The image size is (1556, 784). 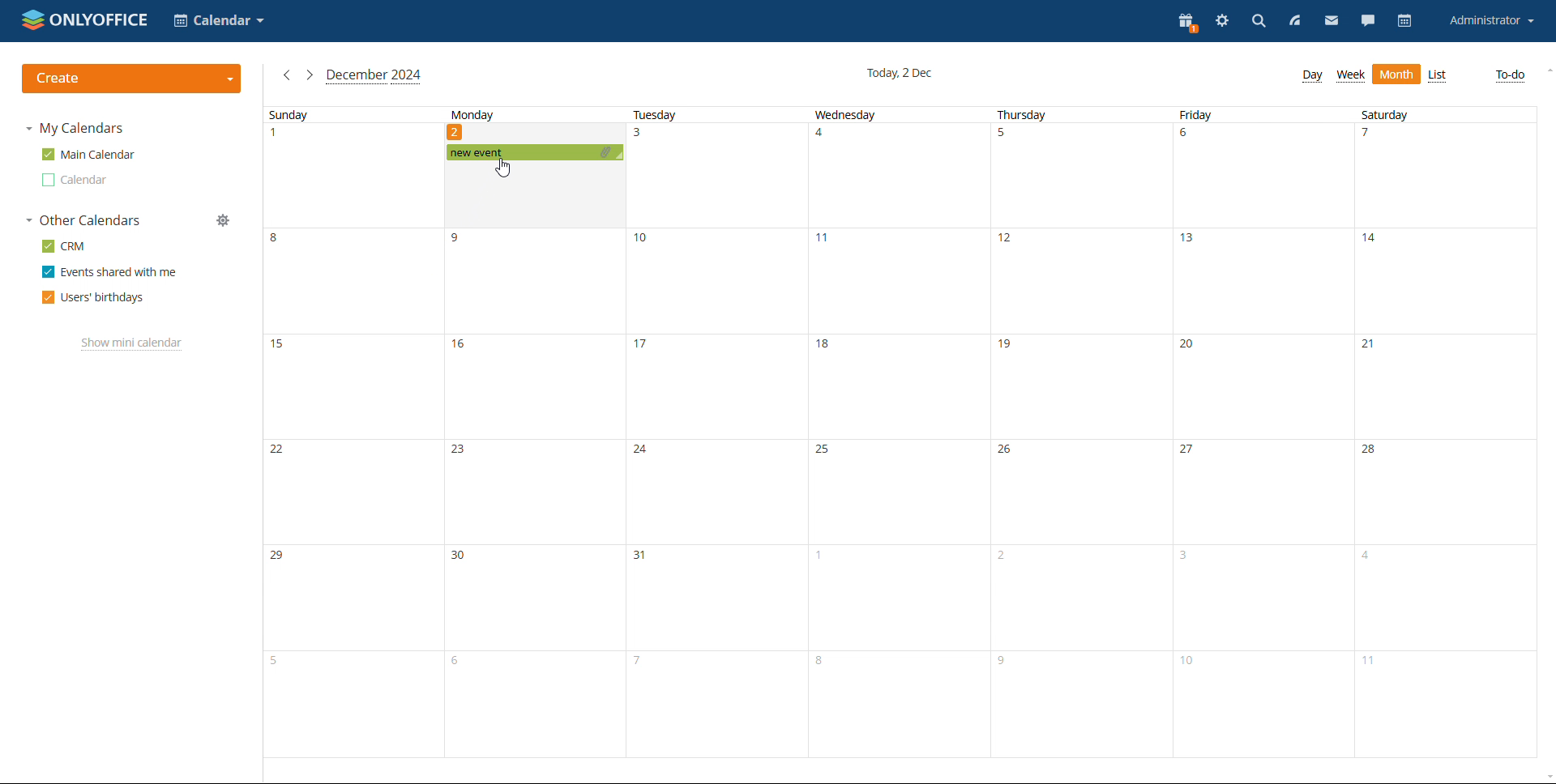 I want to click on Month, so click(x=1397, y=75).